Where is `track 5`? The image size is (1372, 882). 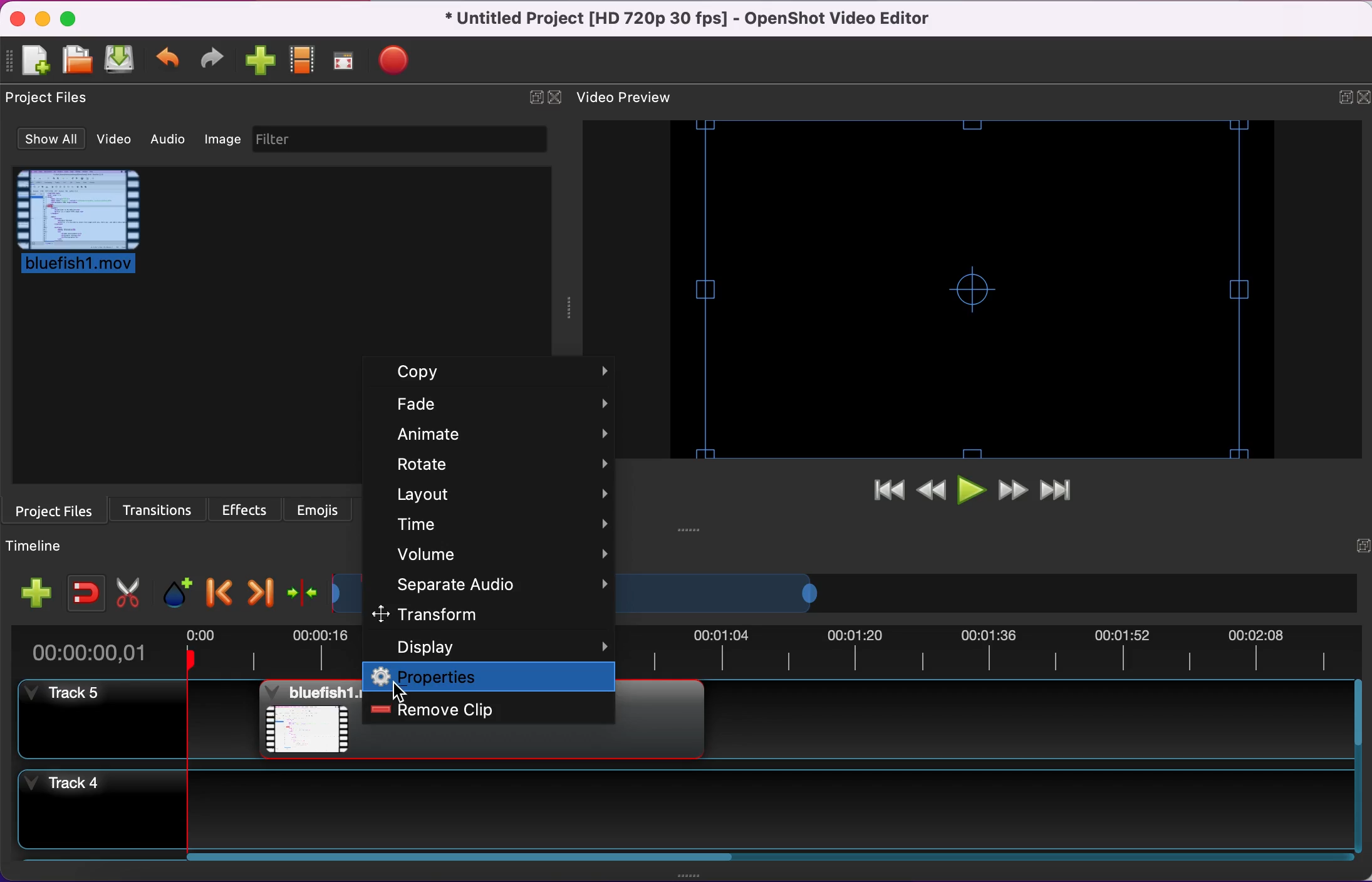
track 5 is located at coordinates (95, 719).